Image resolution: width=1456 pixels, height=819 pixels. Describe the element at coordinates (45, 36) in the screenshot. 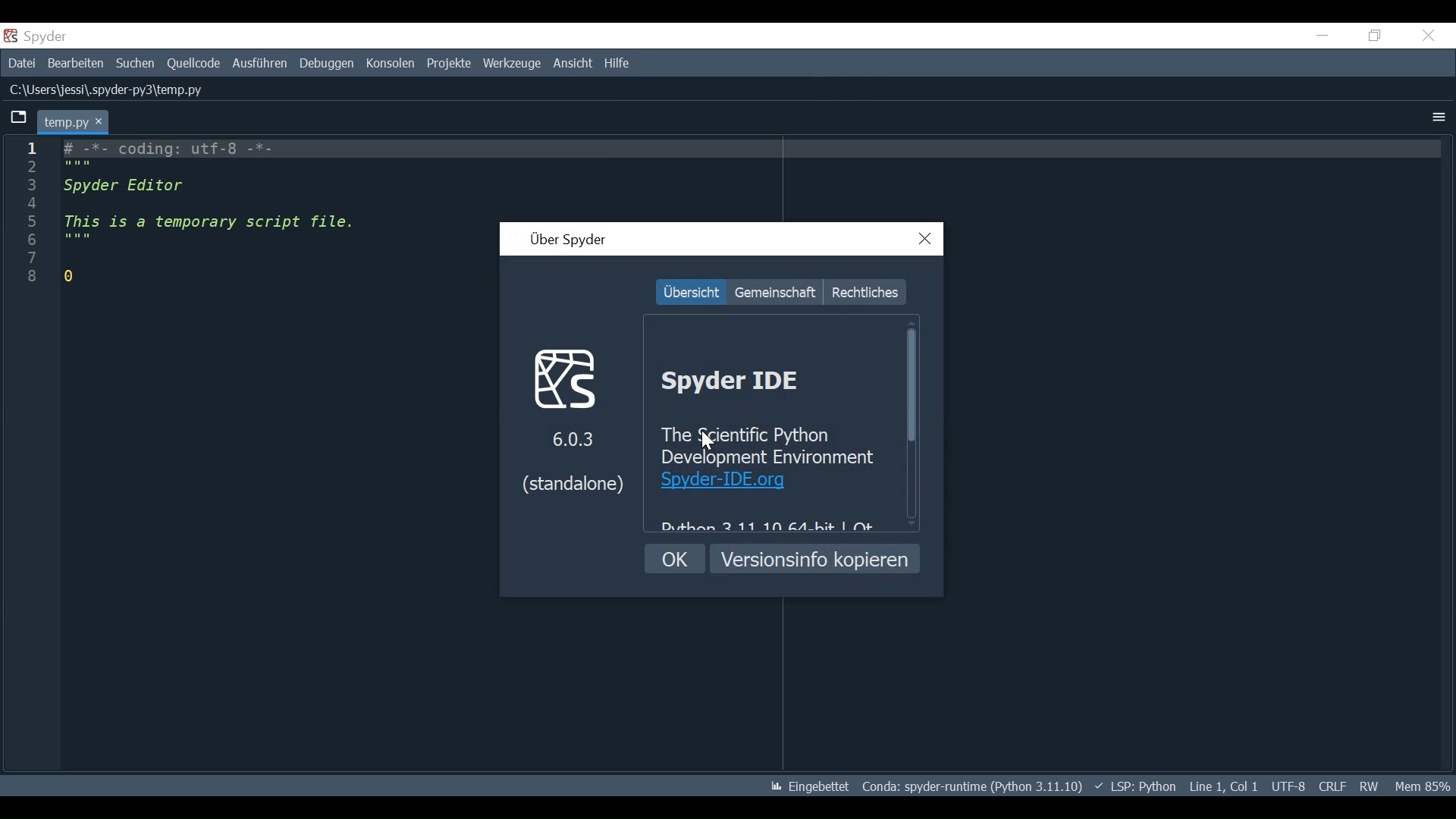

I see `spyder` at that location.